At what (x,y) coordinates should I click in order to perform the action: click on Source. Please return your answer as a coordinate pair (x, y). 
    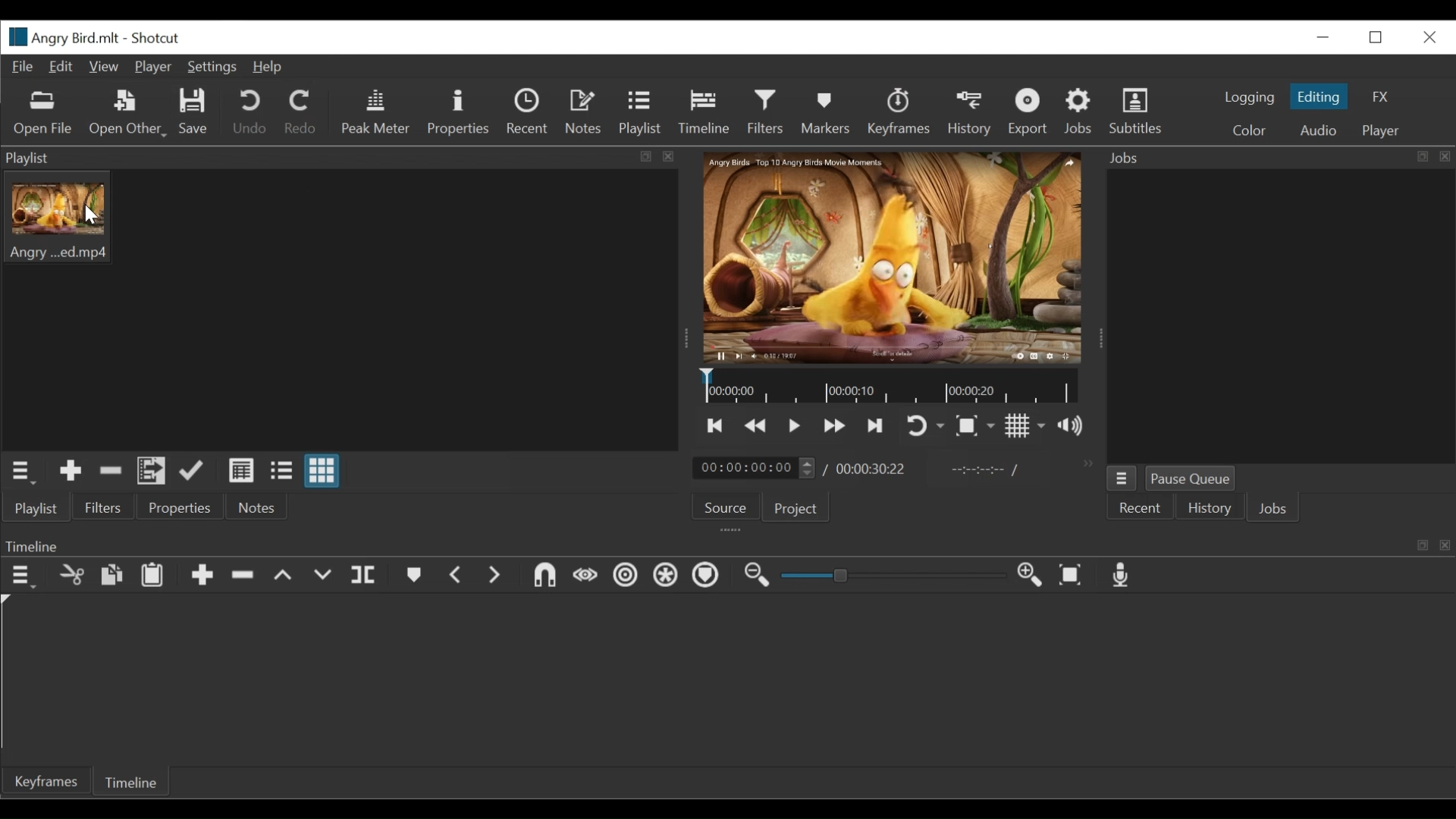
    Looking at the image, I should click on (729, 506).